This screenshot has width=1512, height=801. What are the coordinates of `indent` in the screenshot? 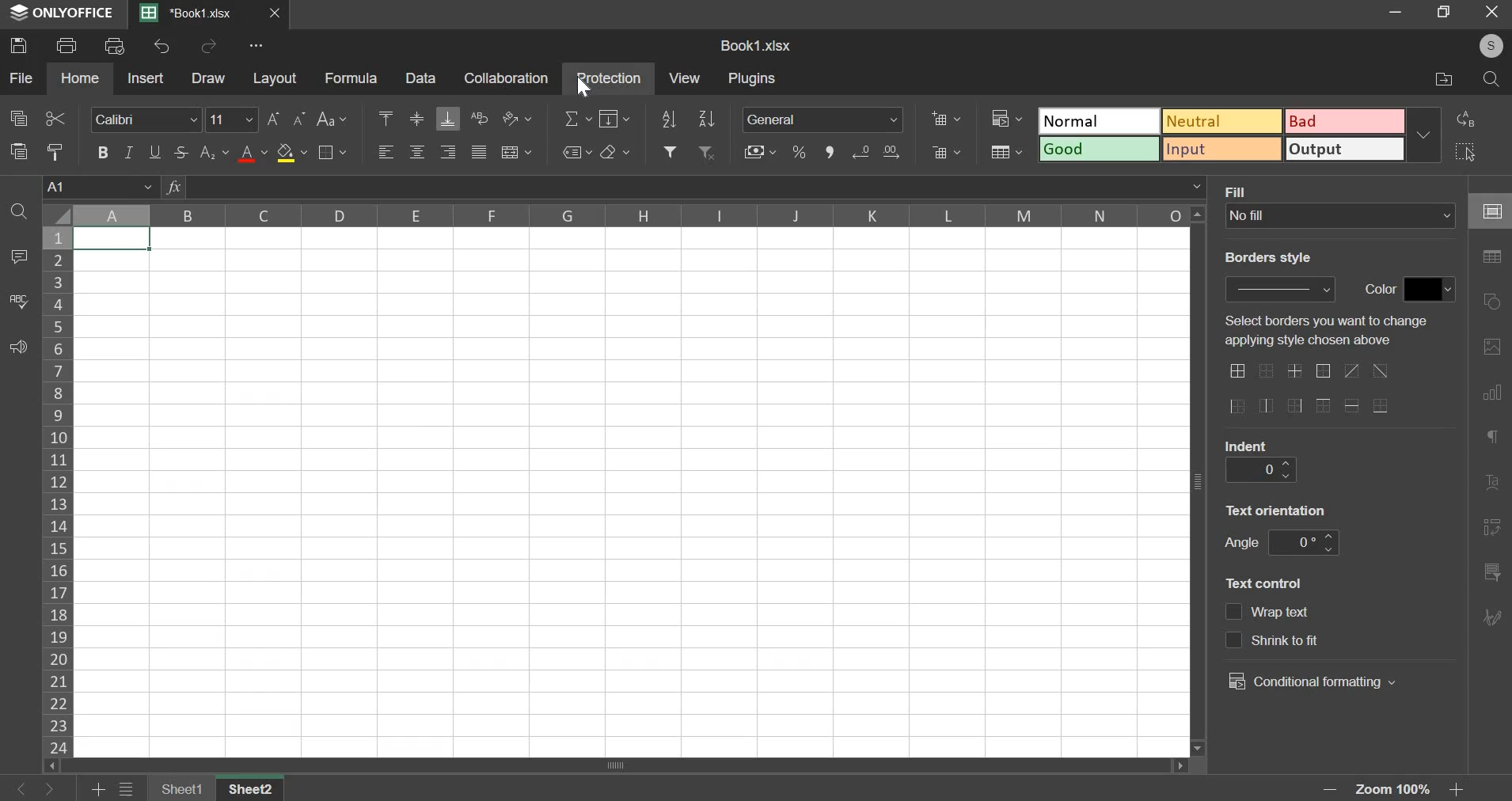 It's located at (1259, 469).